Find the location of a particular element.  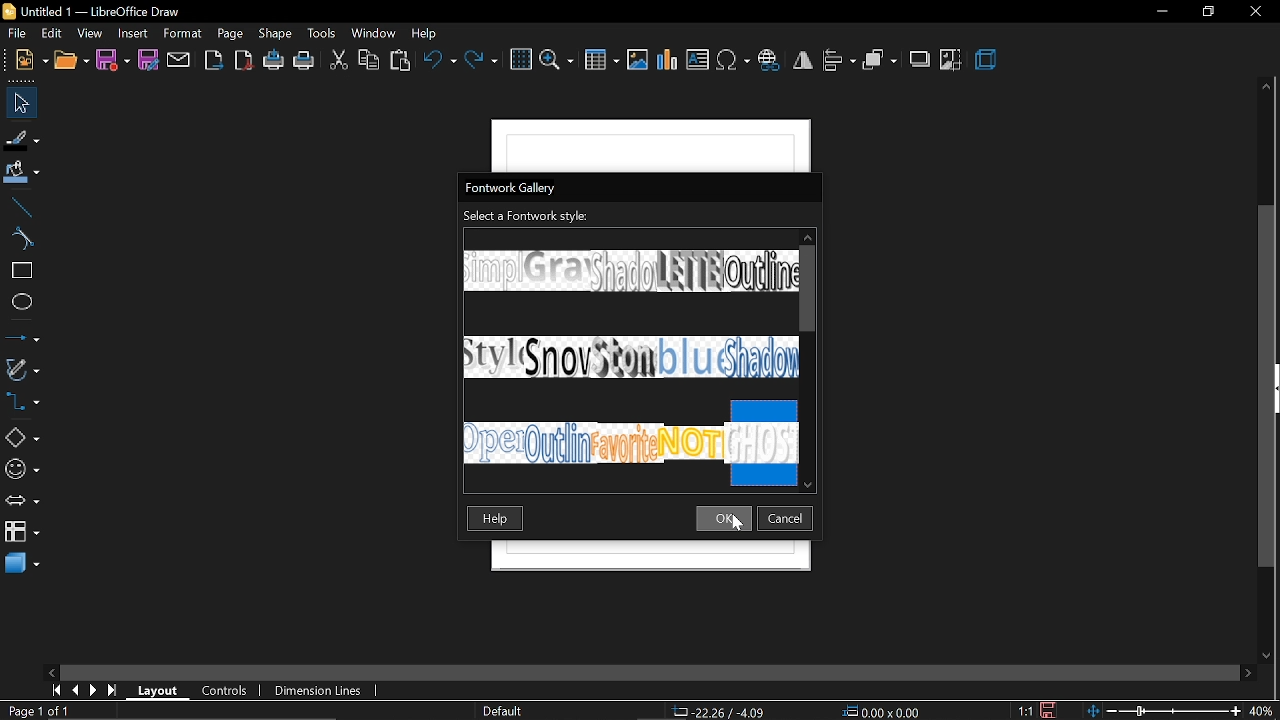

insert is located at coordinates (133, 35).